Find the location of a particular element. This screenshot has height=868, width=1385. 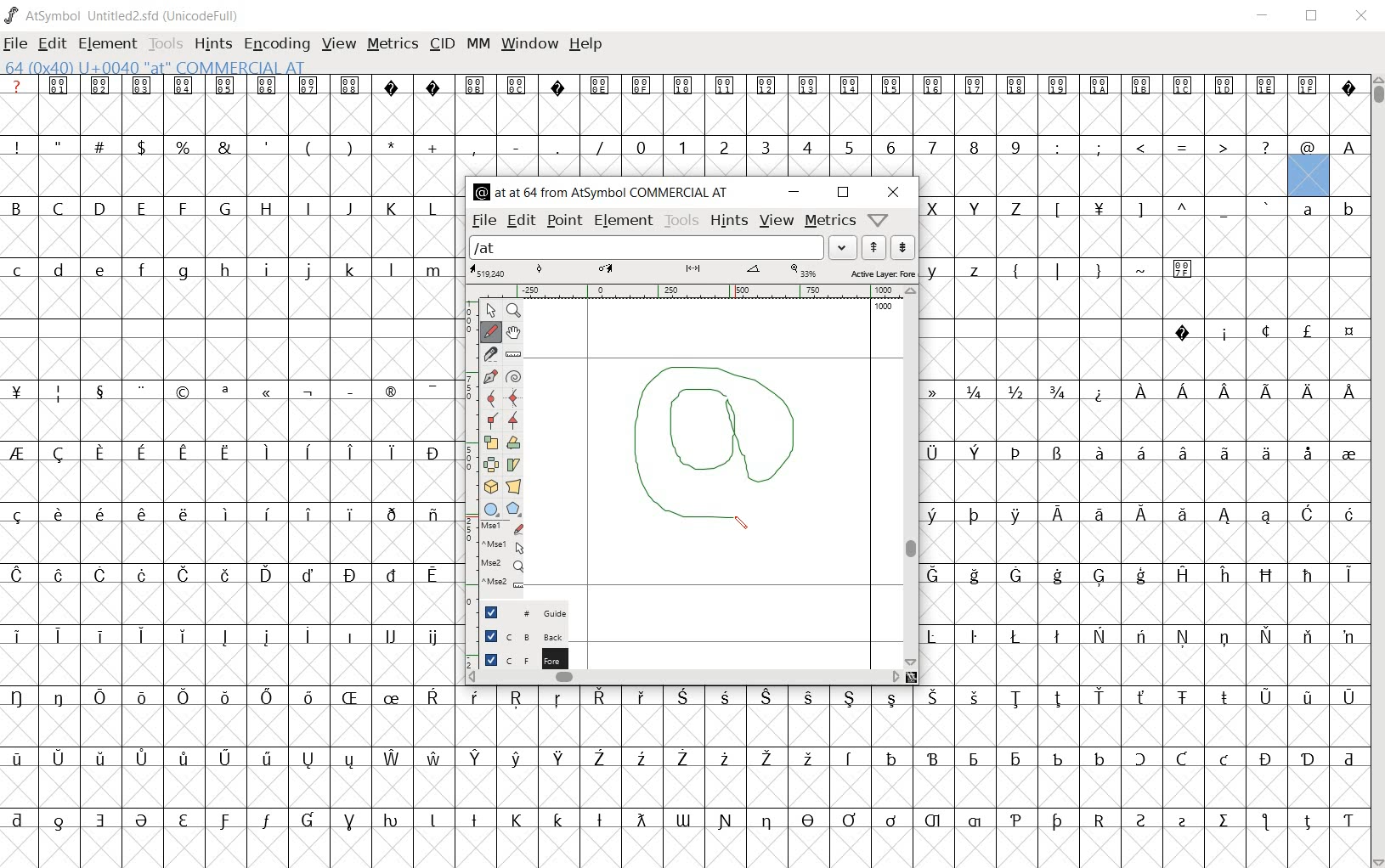

MINIMIZE is located at coordinates (1267, 20).